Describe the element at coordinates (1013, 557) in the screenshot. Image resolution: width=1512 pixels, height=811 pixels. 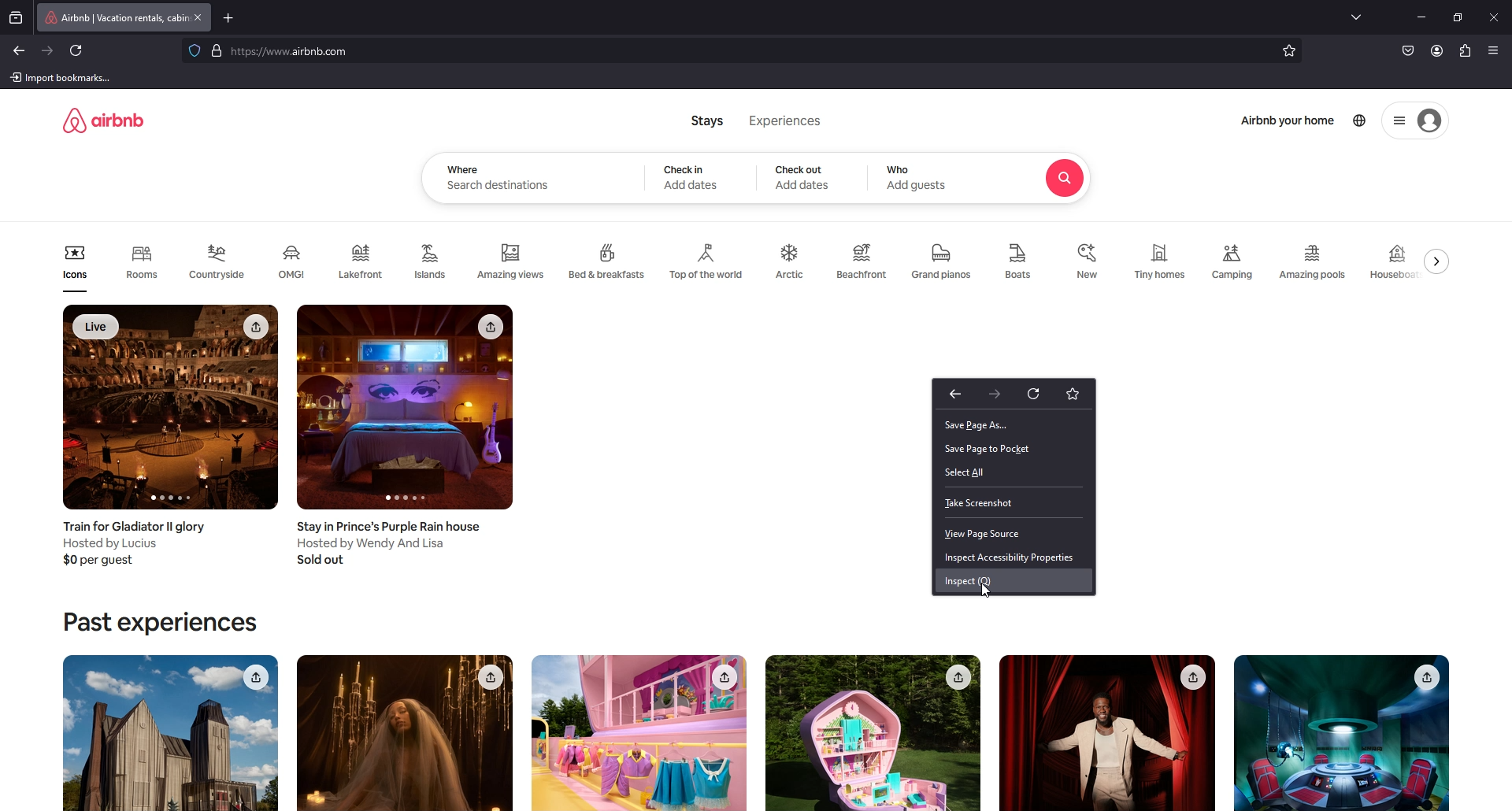
I see `inspect accessibility properties` at that location.